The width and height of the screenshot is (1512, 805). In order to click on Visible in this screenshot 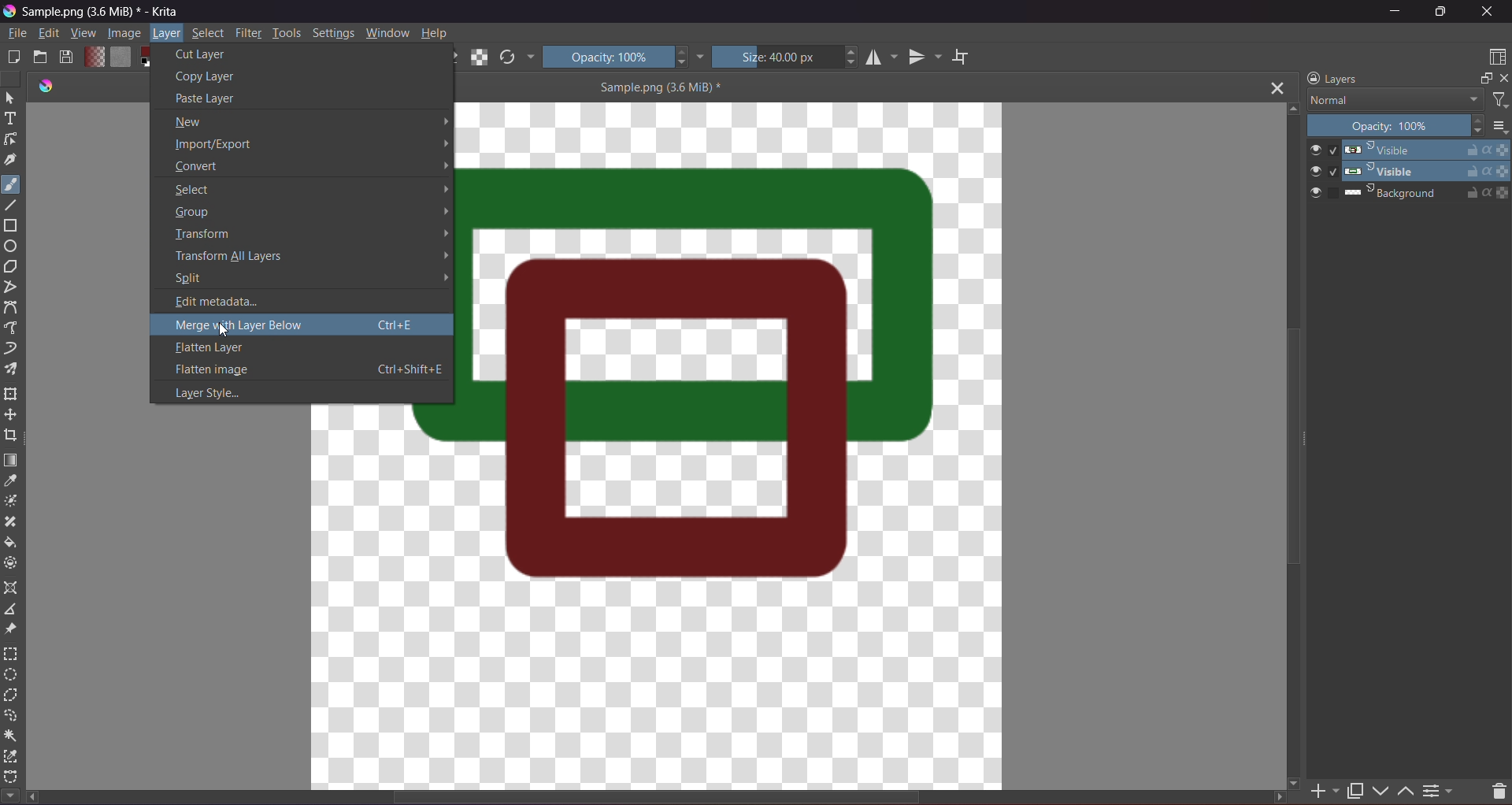, I will do `click(1408, 171)`.